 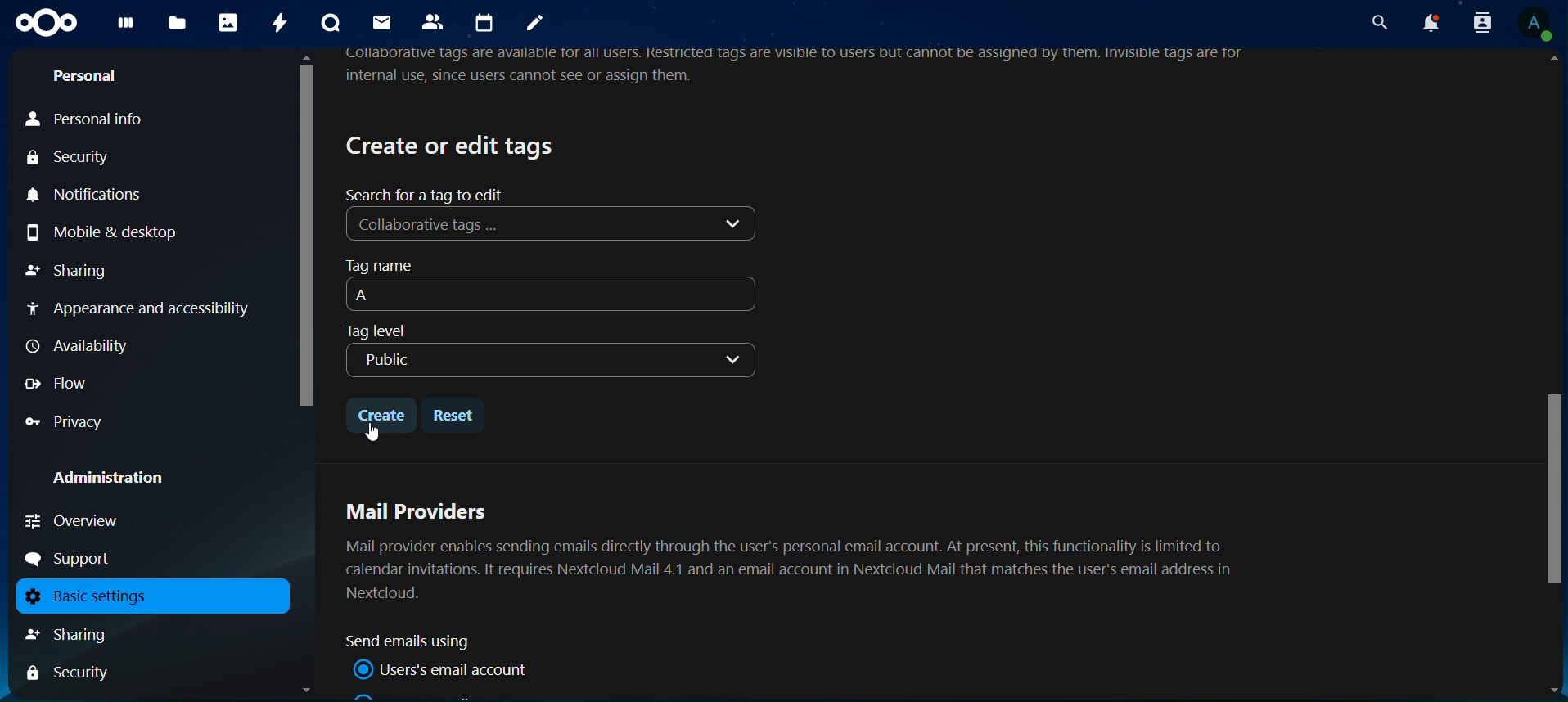 I want to click on Cursor, so click(x=371, y=433).